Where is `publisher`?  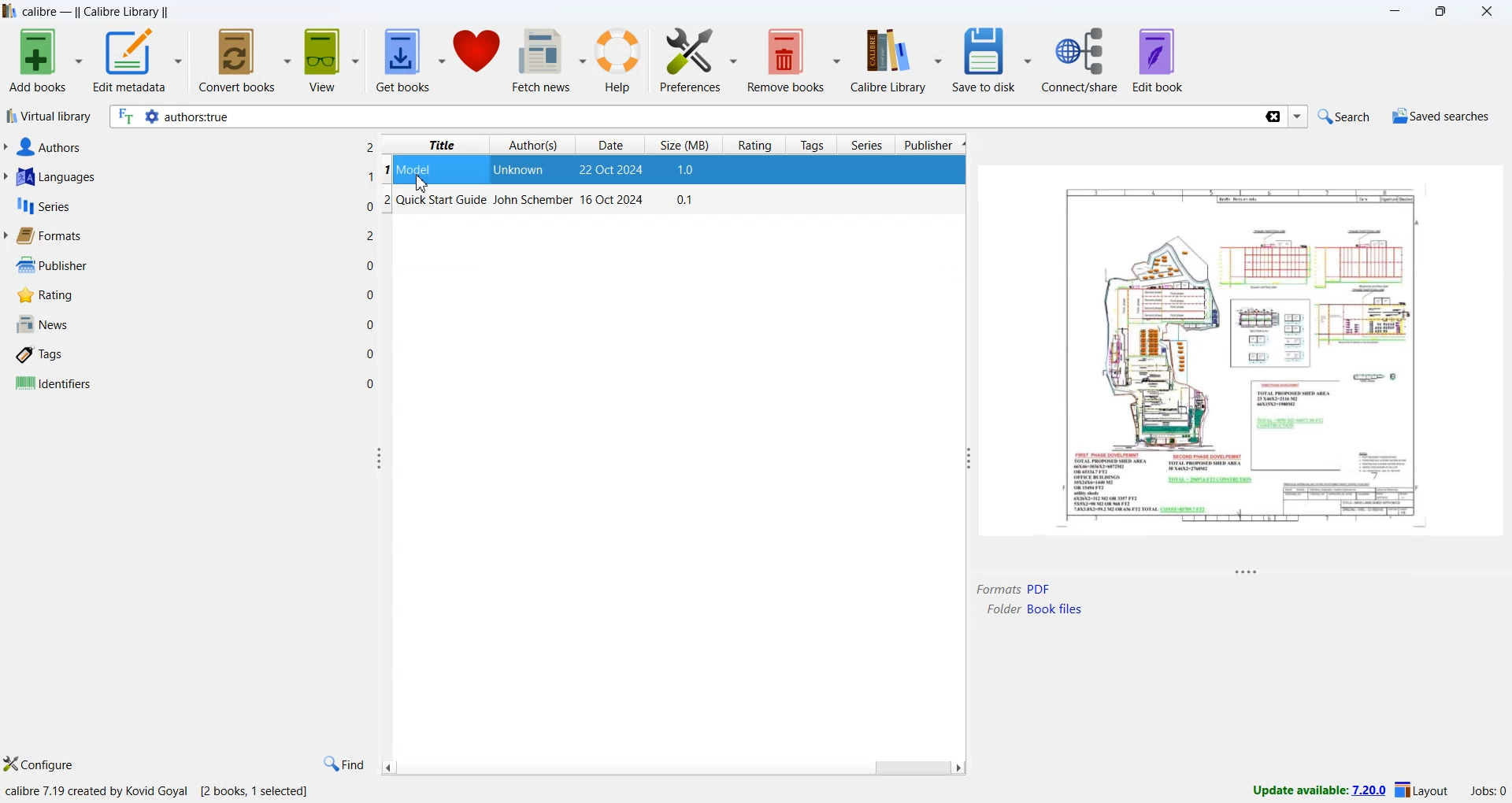
publisher is located at coordinates (49, 265).